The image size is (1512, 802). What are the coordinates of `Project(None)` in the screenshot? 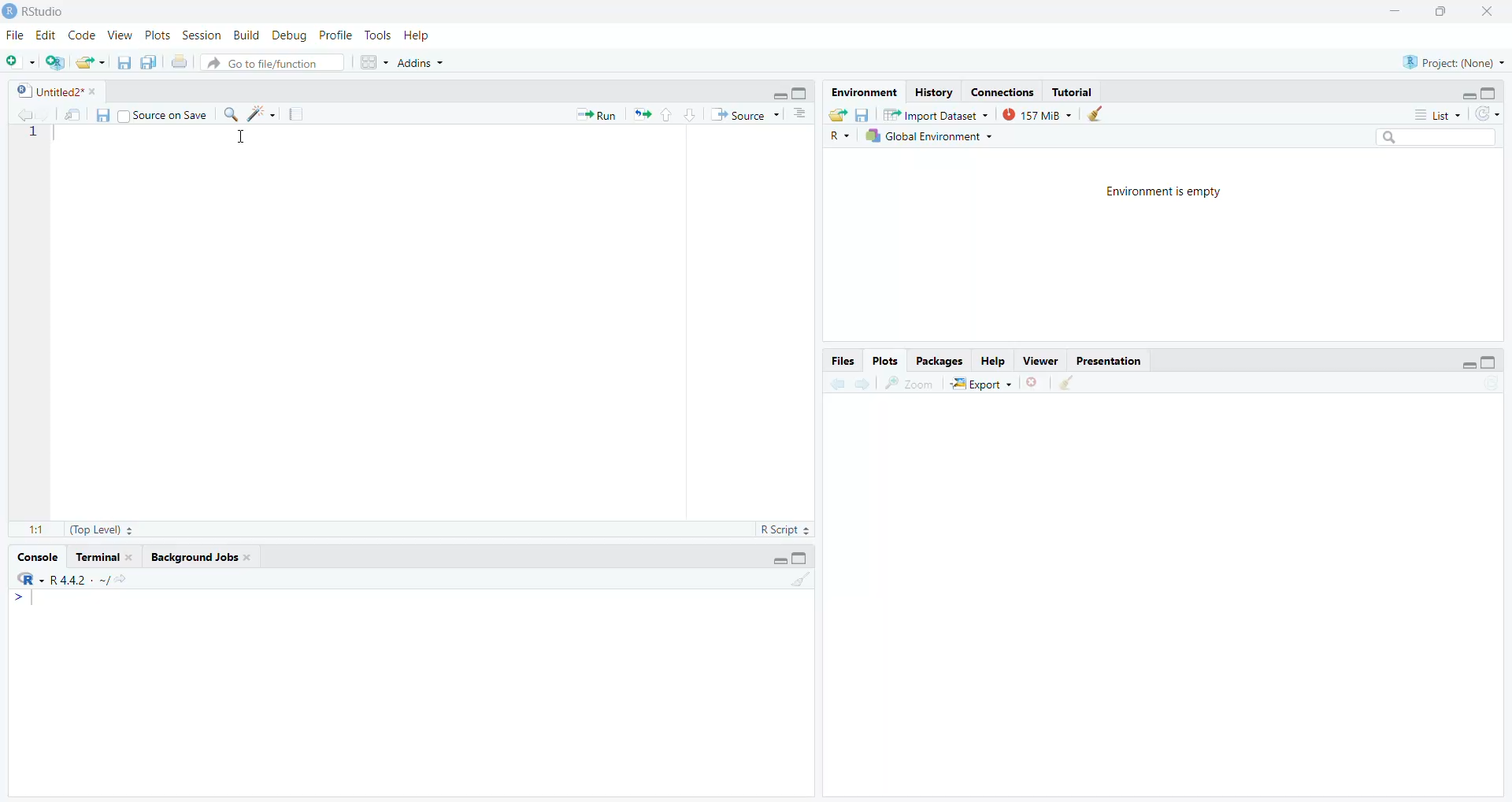 It's located at (1458, 62).